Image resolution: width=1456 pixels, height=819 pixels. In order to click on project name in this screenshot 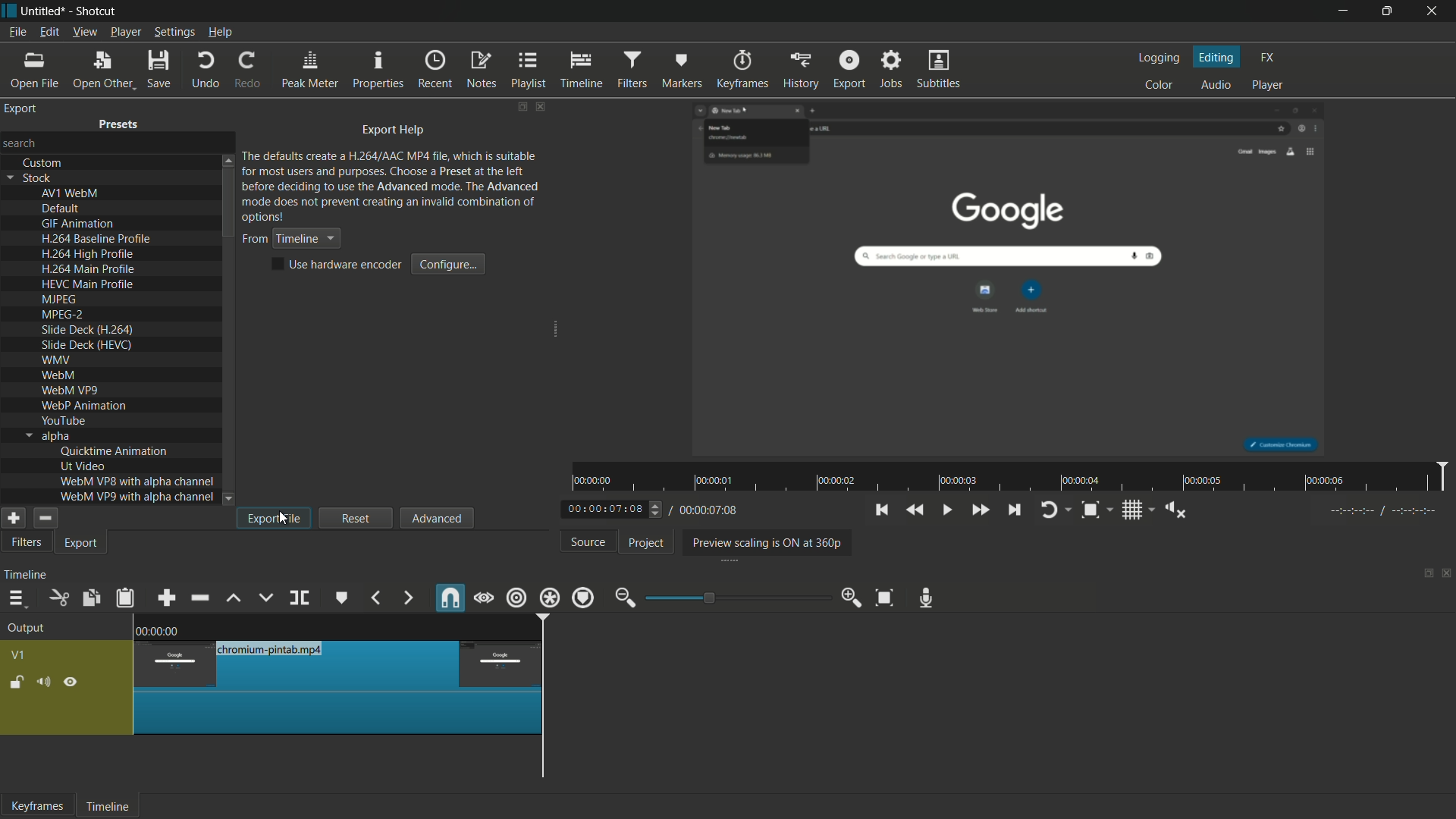, I will do `click(41, 11)`.